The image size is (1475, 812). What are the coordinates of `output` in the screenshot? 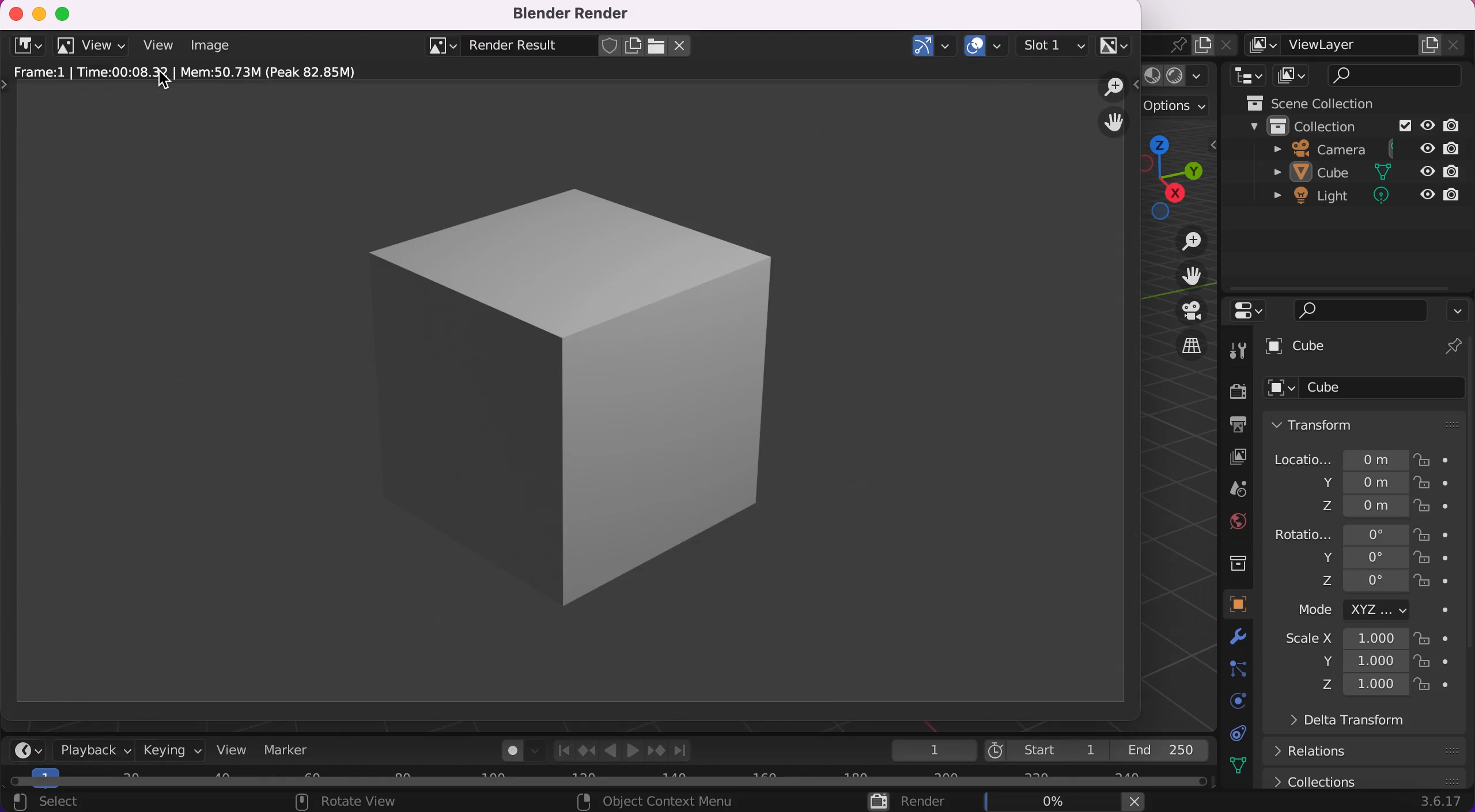 It's located at (1228, 424).